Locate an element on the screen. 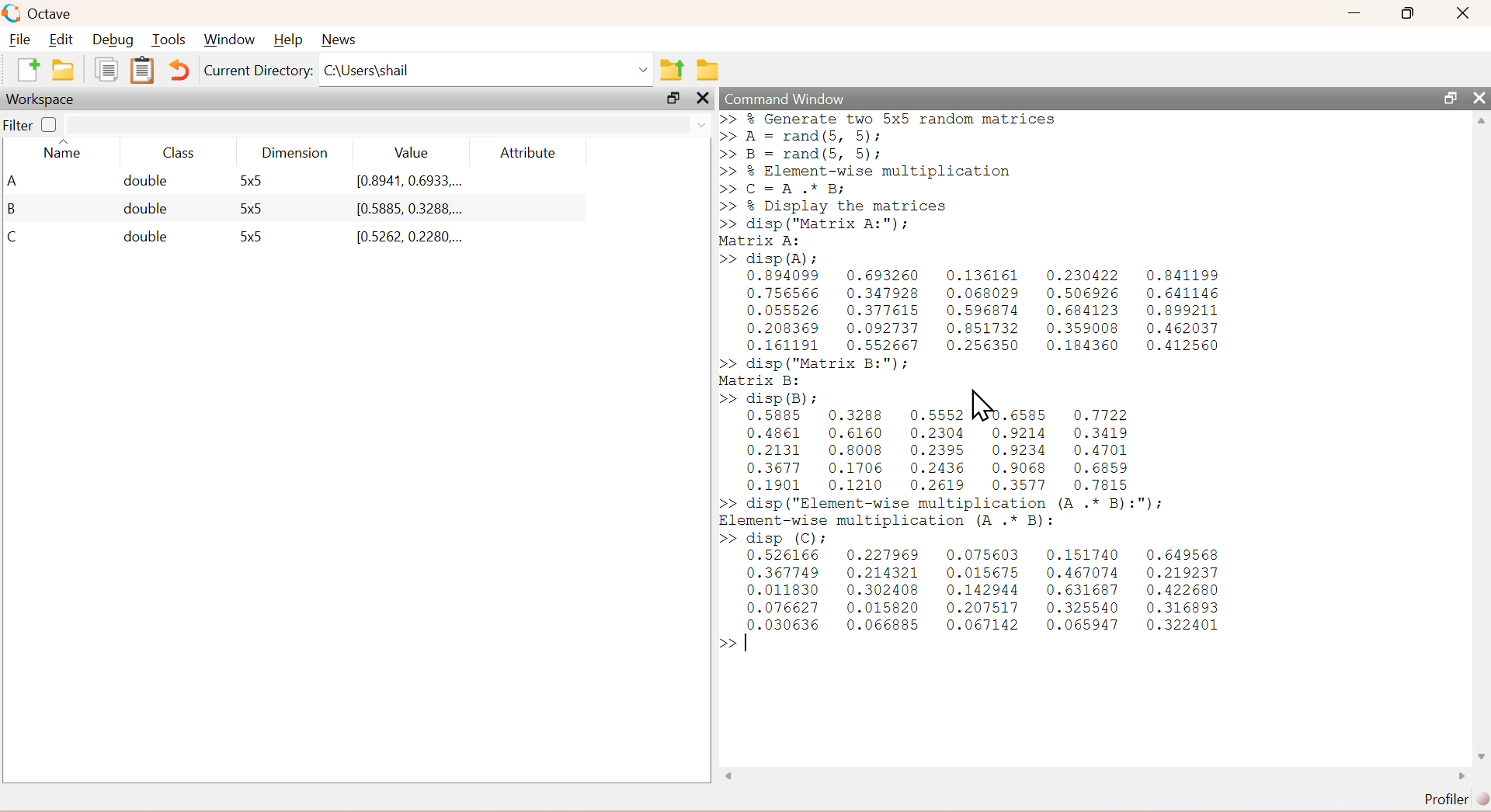 Image resolution: width=1491 pixels, height=812 pixels. Minimize is located at coordinates (1354, 13).